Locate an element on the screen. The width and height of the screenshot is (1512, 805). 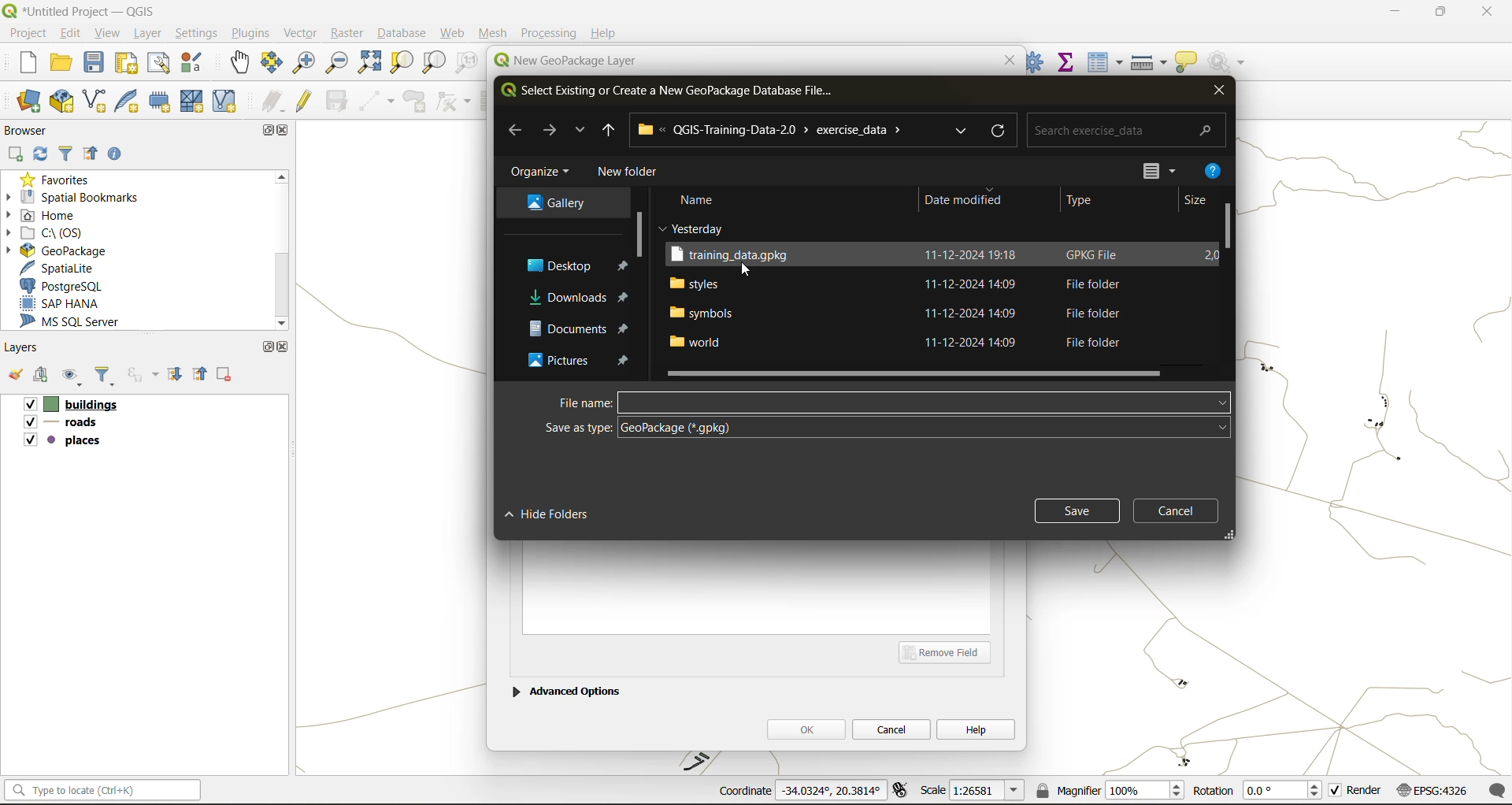
maximize is located at coordinates (265, 130).